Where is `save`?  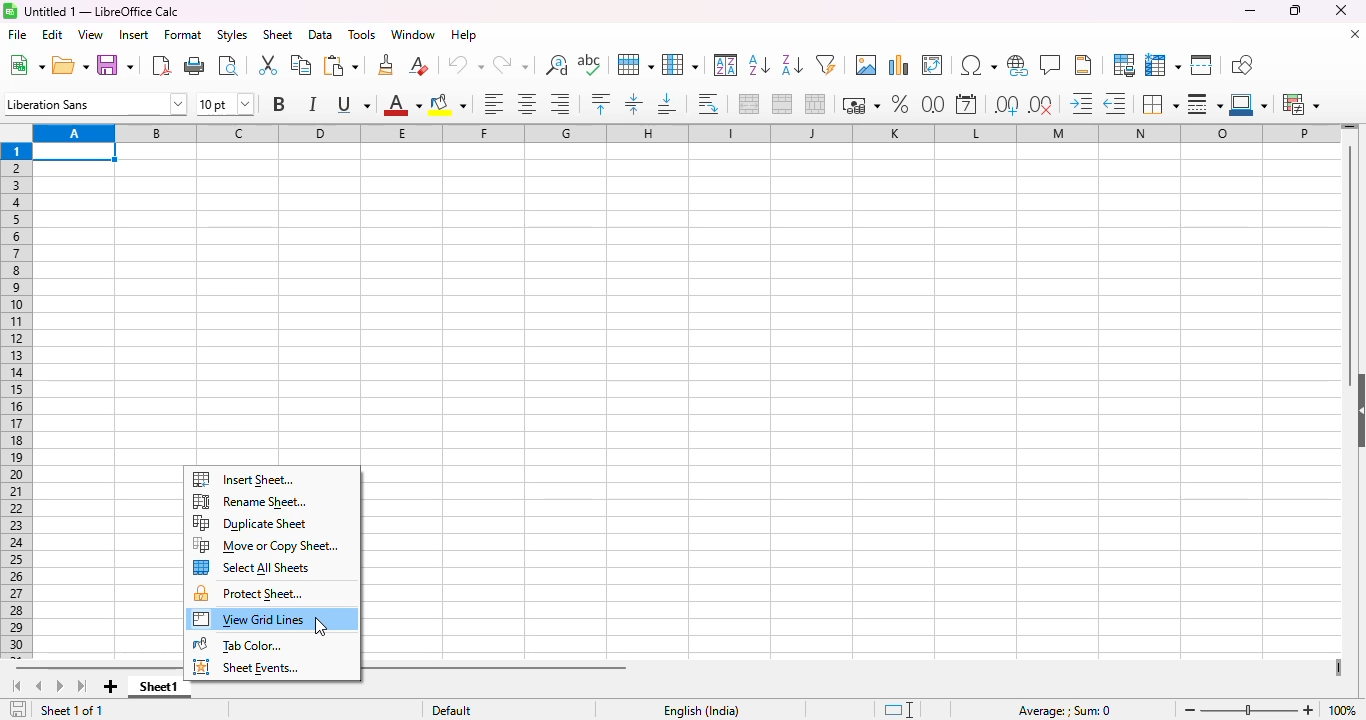 save is located at coordinates (117, 66).